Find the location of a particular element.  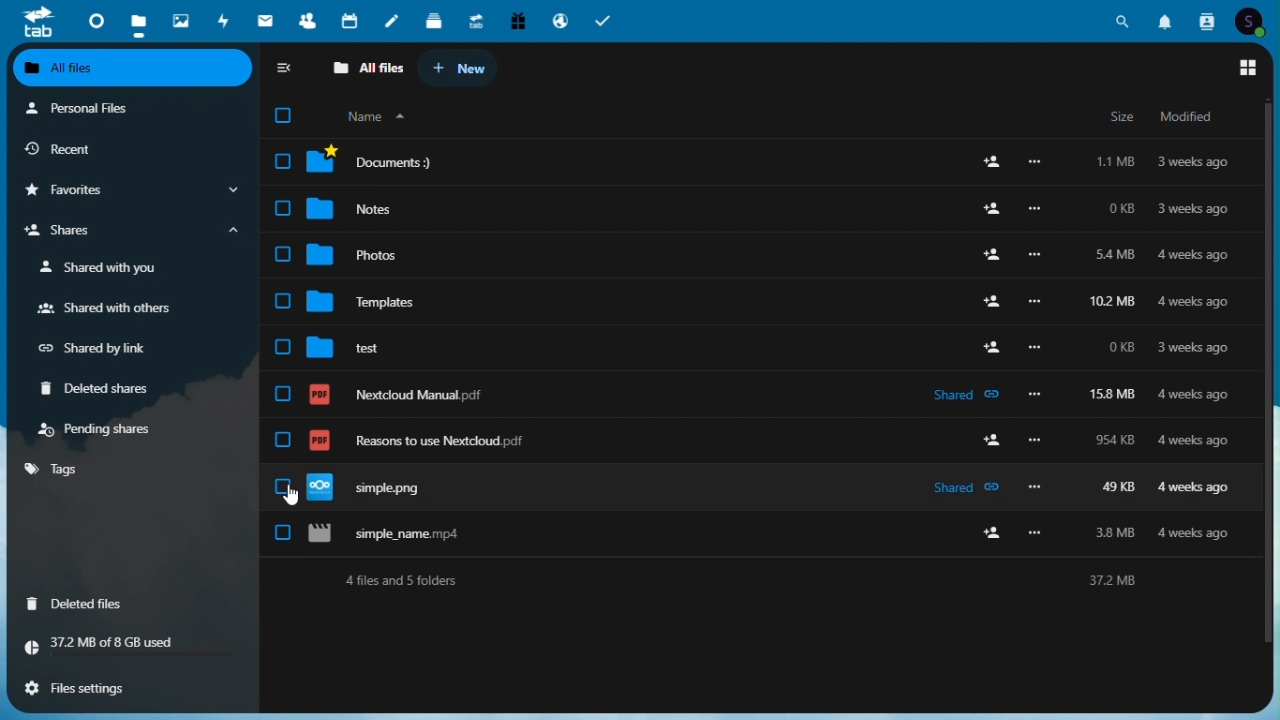

size is located at coordinates (1121, 117).